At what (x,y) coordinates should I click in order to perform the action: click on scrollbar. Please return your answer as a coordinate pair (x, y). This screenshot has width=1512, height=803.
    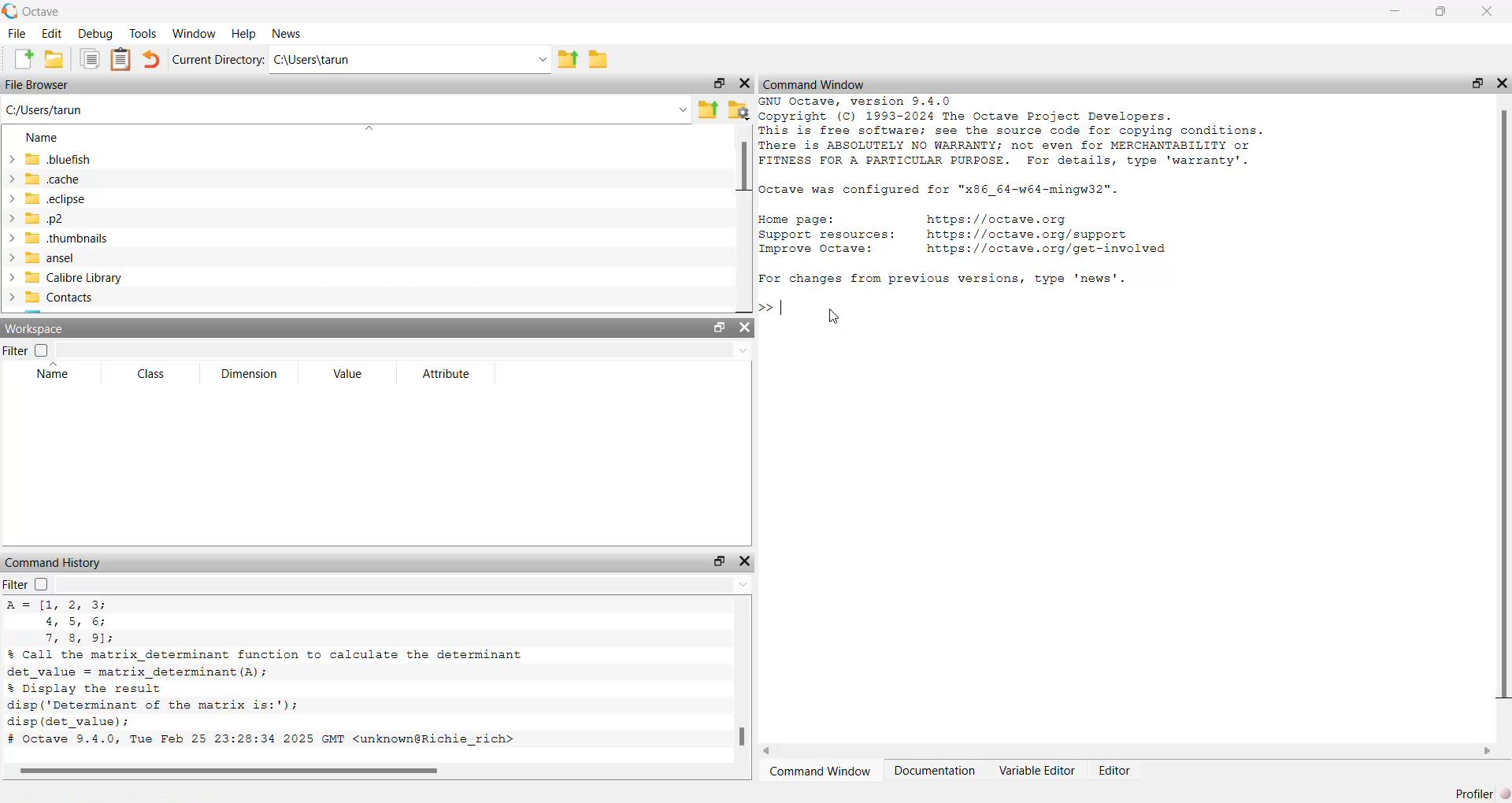
    Looking at the image, I should click on (1503, 409).